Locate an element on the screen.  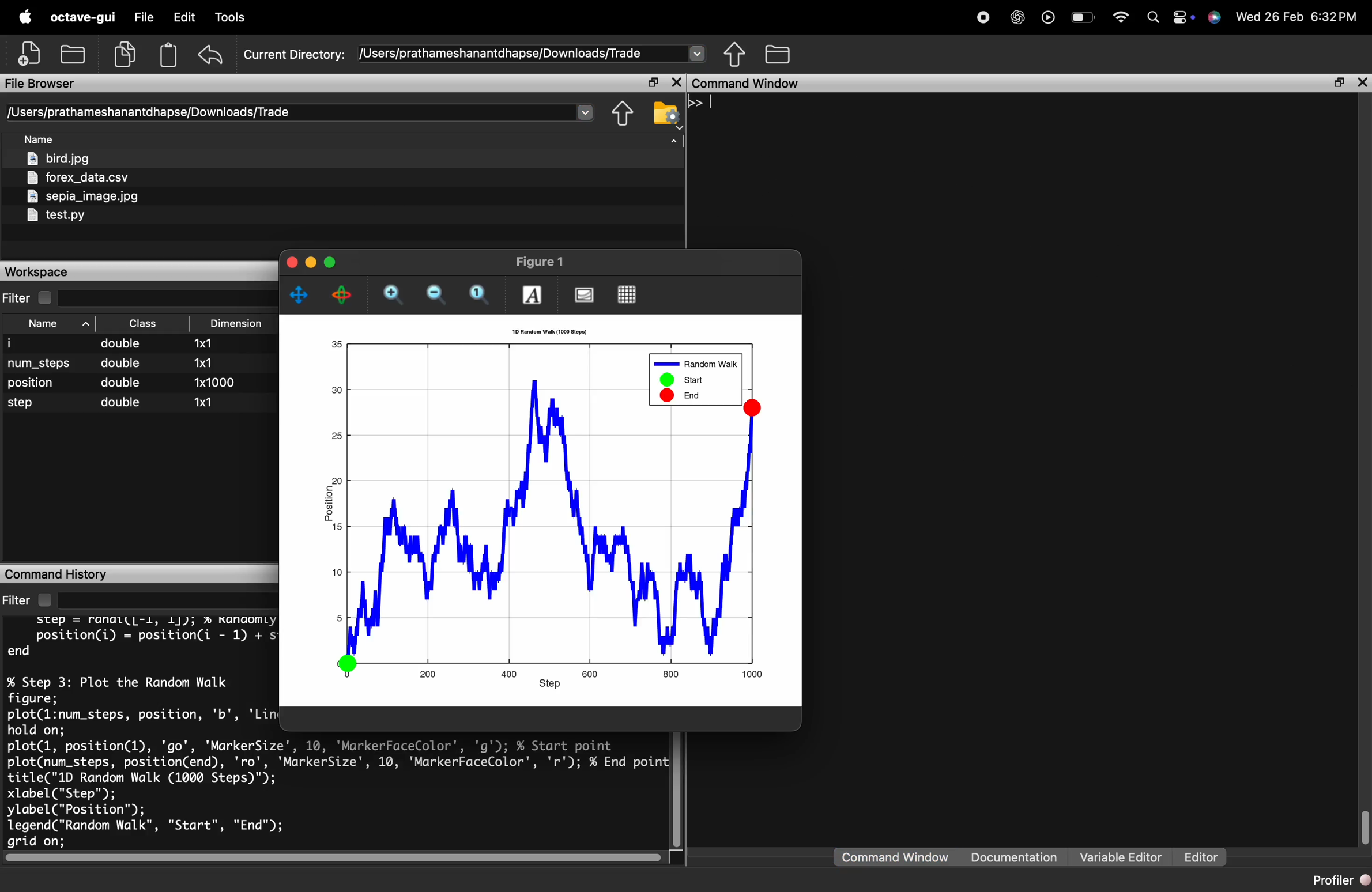
file browser is located at coordinates (41, 84).